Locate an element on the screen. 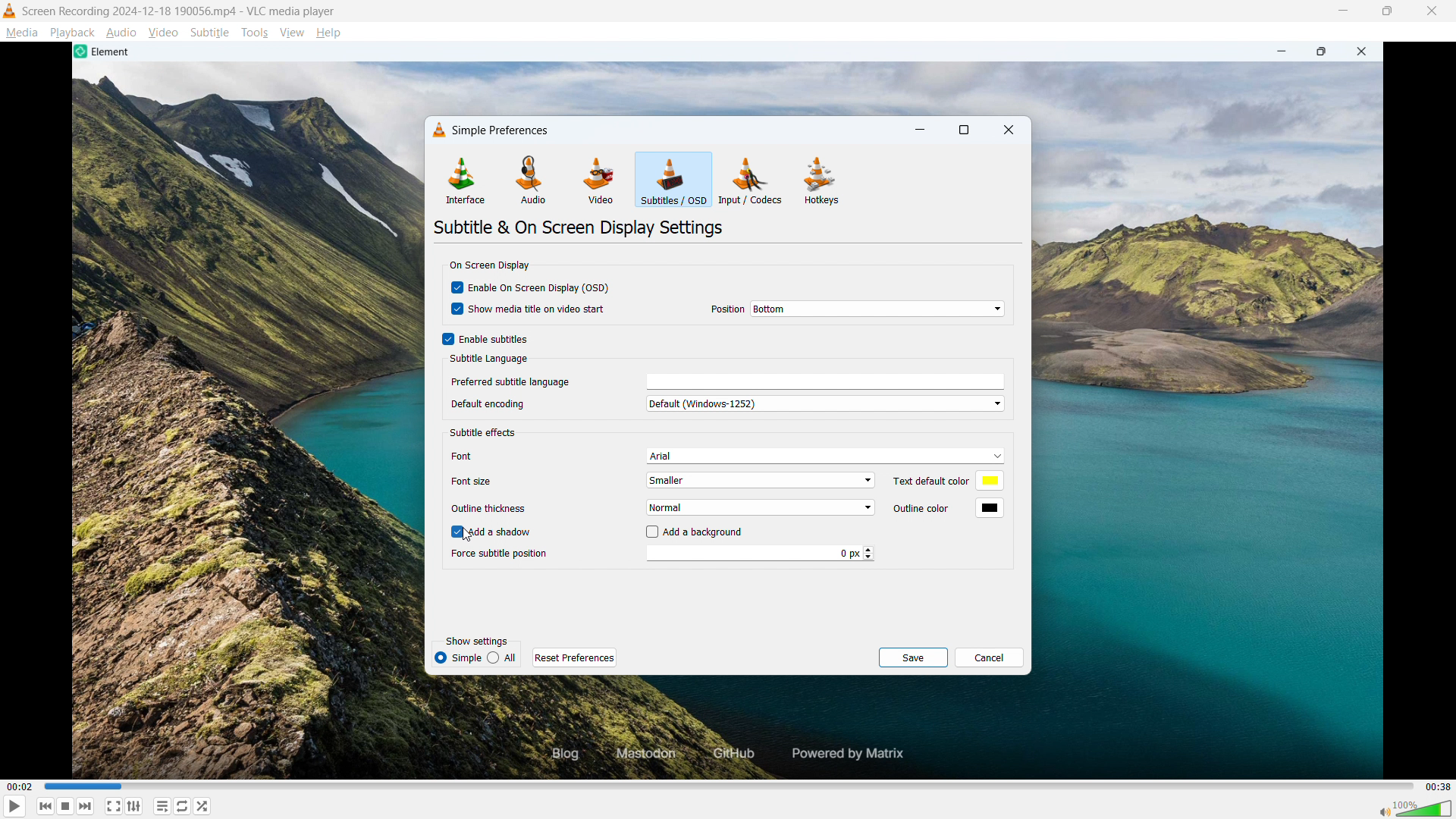  Add background is located at coordinates (706, 532).